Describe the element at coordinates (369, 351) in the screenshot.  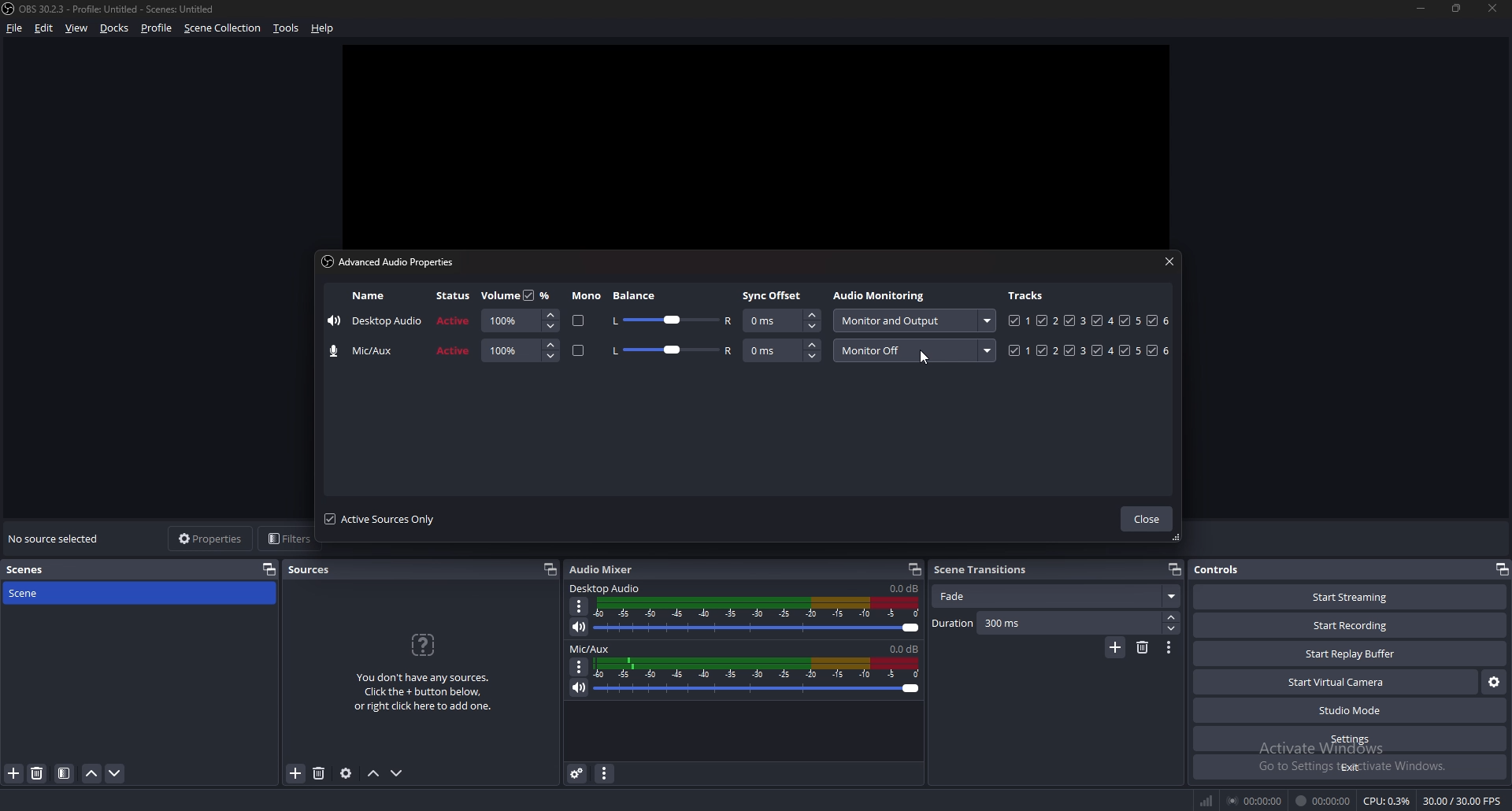
I see `name` at that location.